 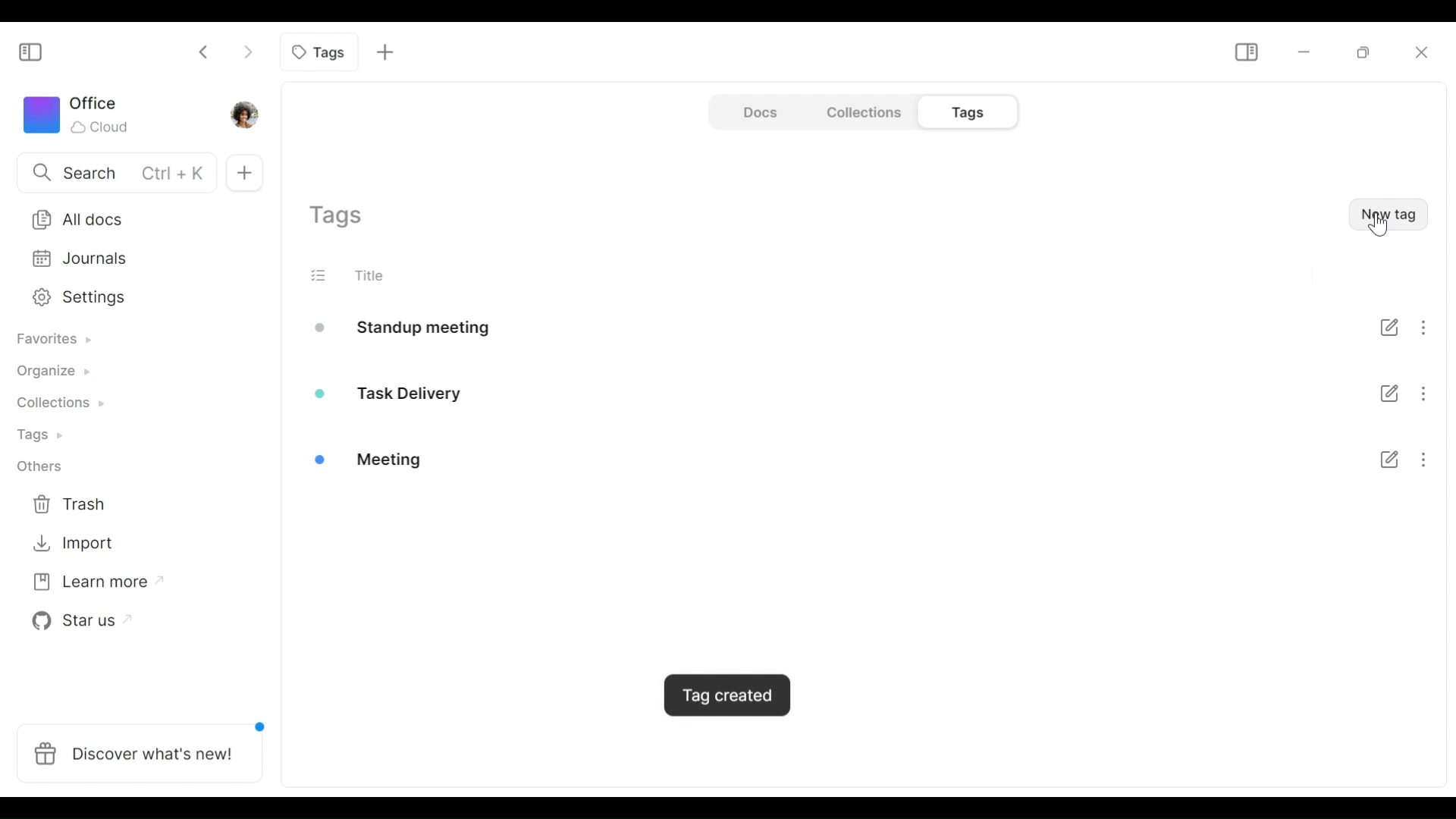 What do you see at coordinates (1246, 53) in the screenshot?
I see `Show/Hide Sidebar` at bounding box center [1246, 53].